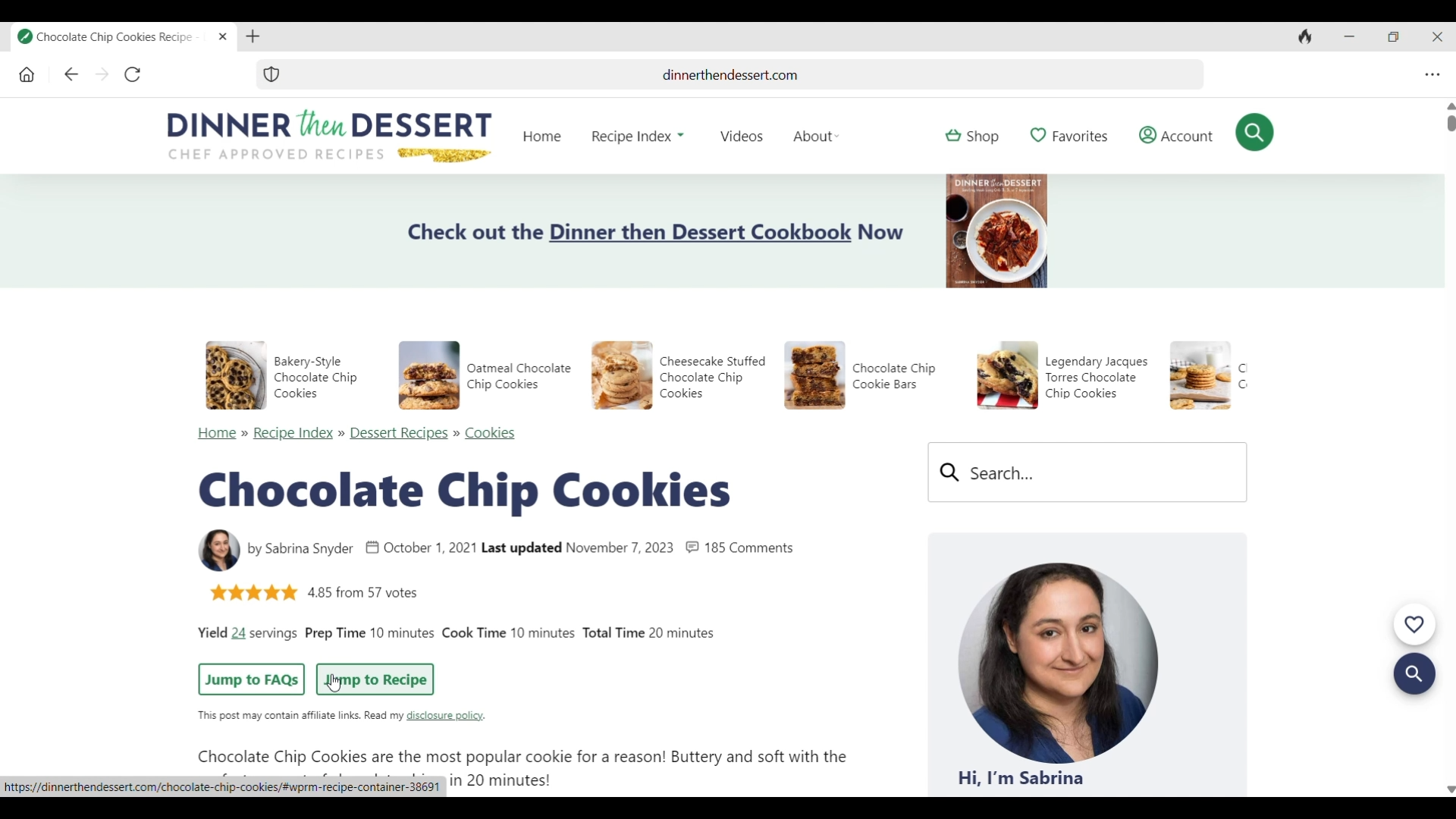  What do you see at coordinates (271, 74) in the screenshot?
I see `Browser protection symbol` at bounding box center [271, 74].